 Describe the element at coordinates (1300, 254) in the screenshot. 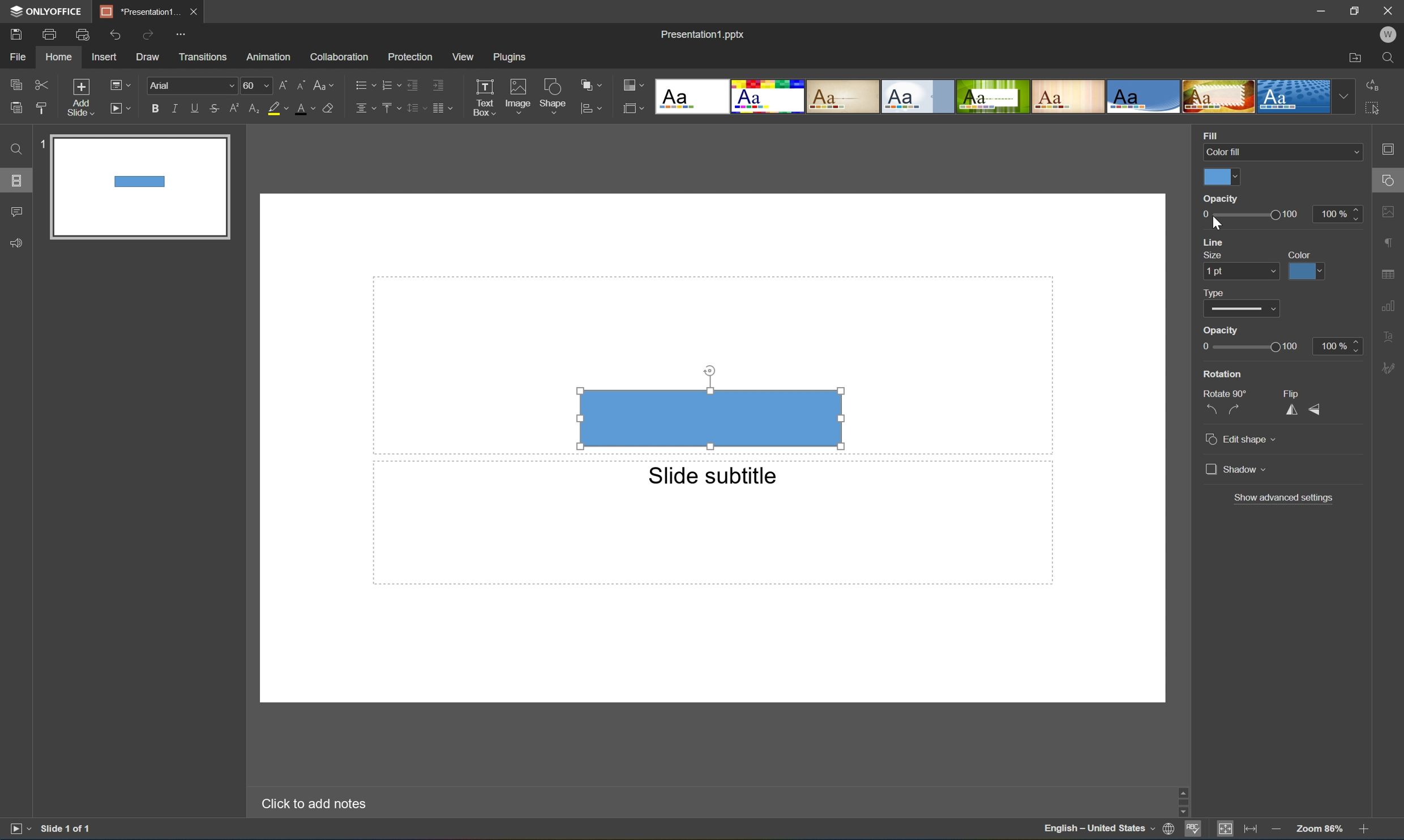

I see `Color` at that location.